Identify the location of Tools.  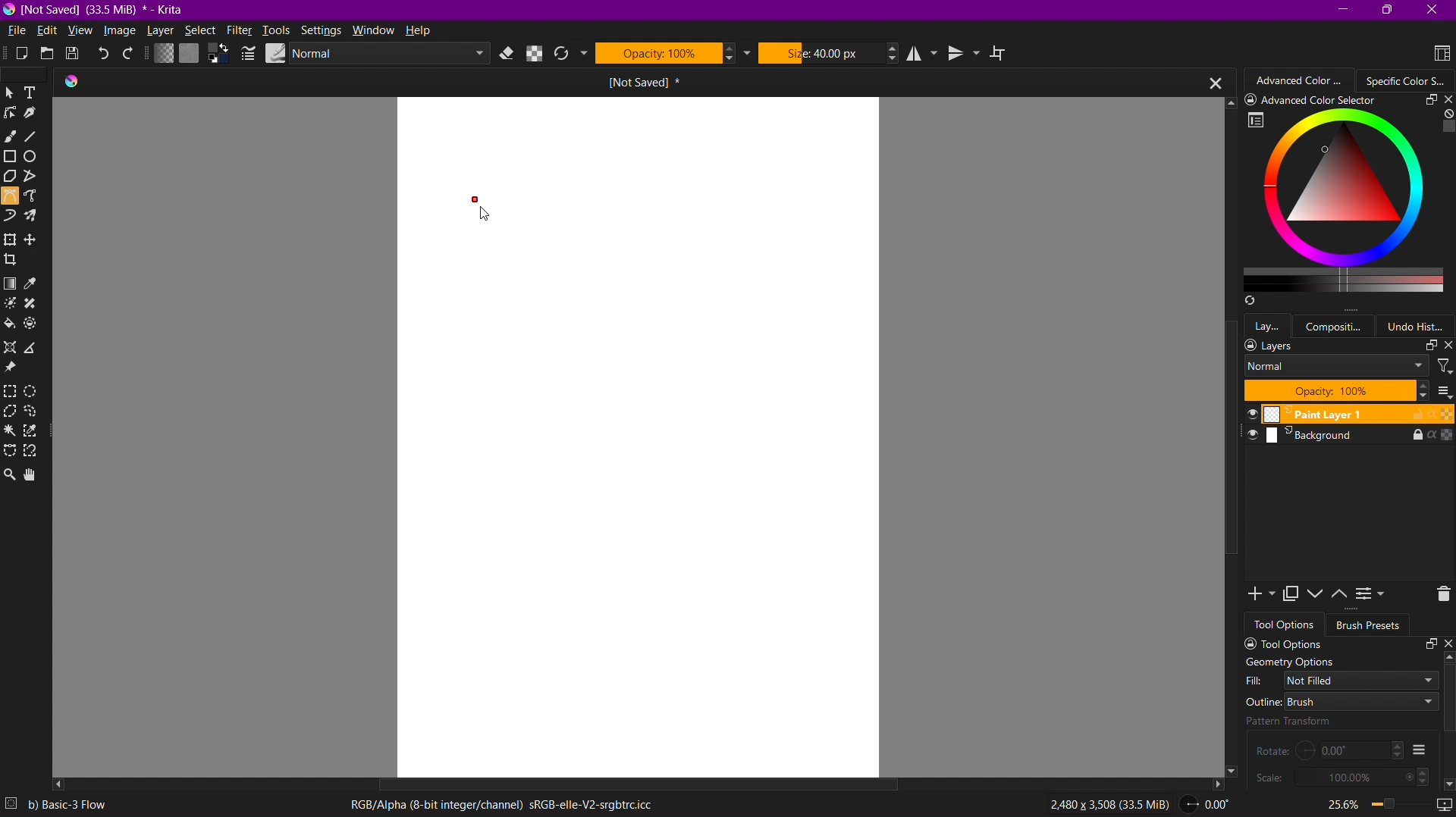
(278, 30).